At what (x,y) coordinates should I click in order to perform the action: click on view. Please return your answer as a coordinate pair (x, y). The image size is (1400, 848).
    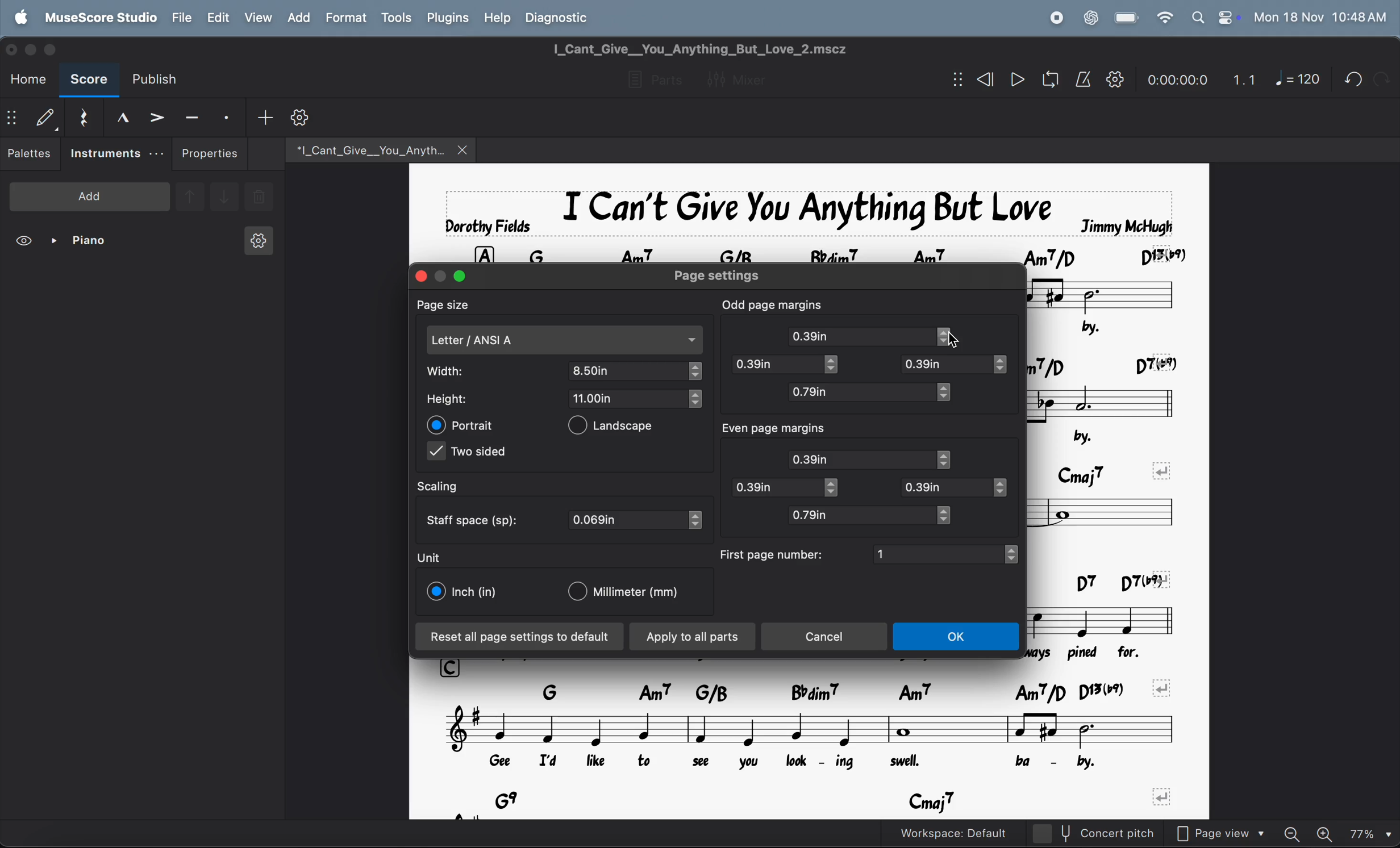
    Looking at the image, I should click on (257, 17).